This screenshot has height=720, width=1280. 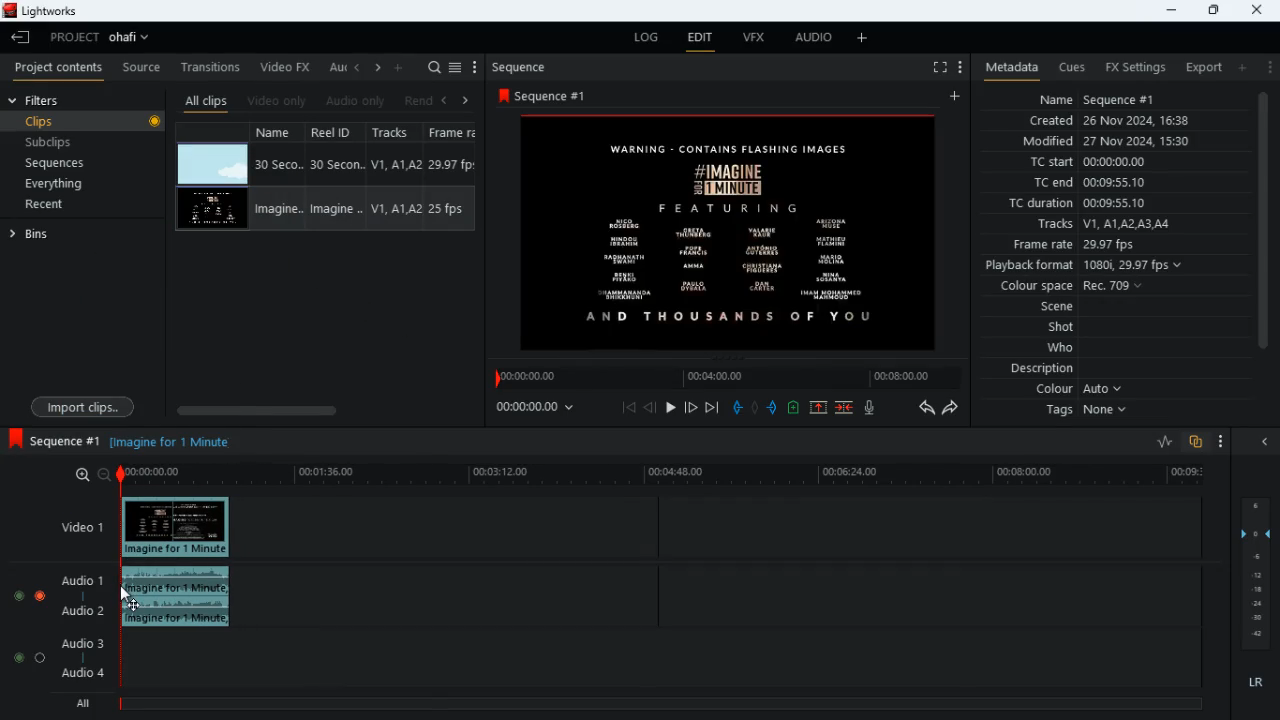 I want to click on V1, A1, A2, so click(x=394, y=164).